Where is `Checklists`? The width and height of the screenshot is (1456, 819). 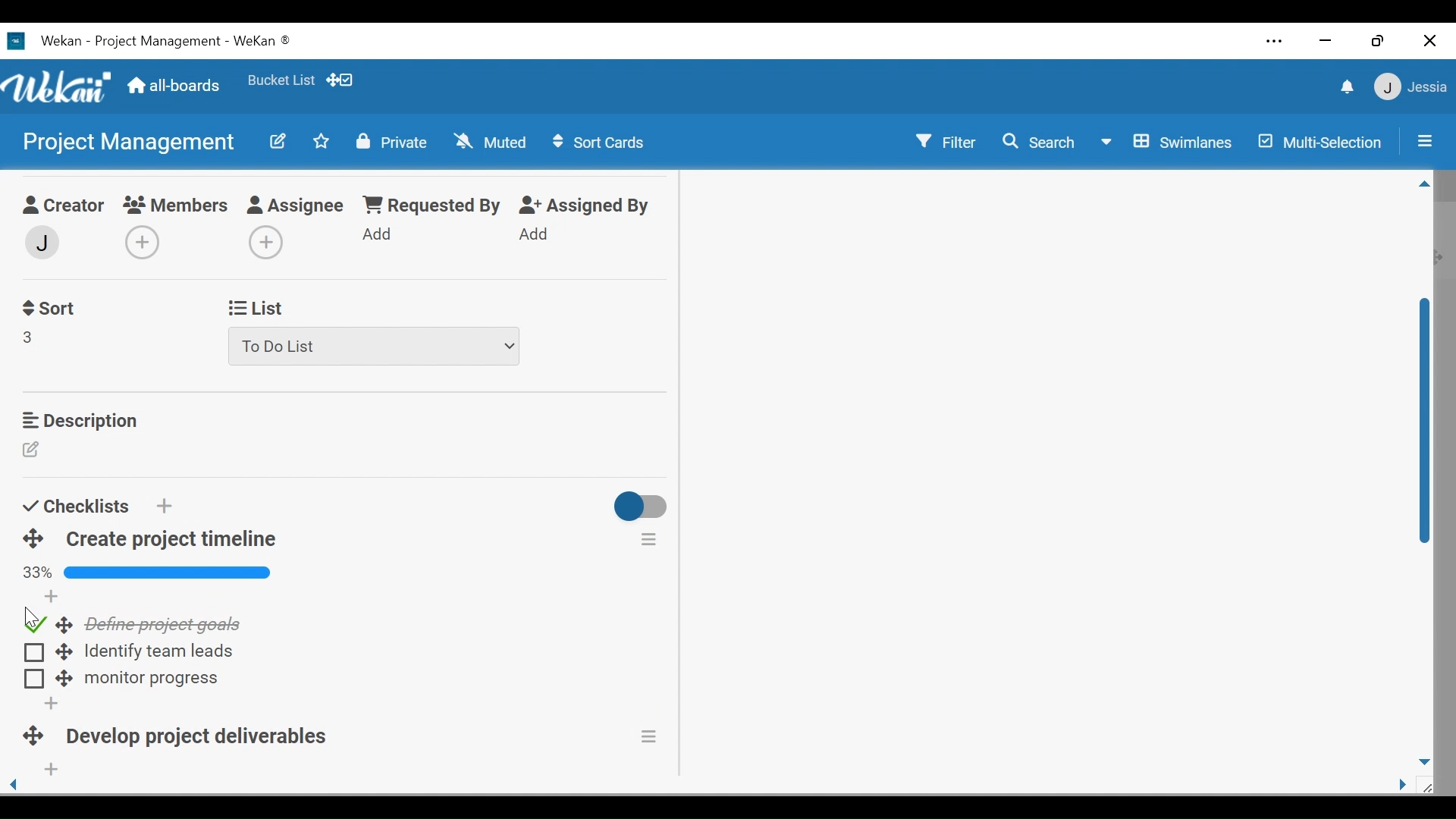 Checklists is located at coordinates (75, 506).